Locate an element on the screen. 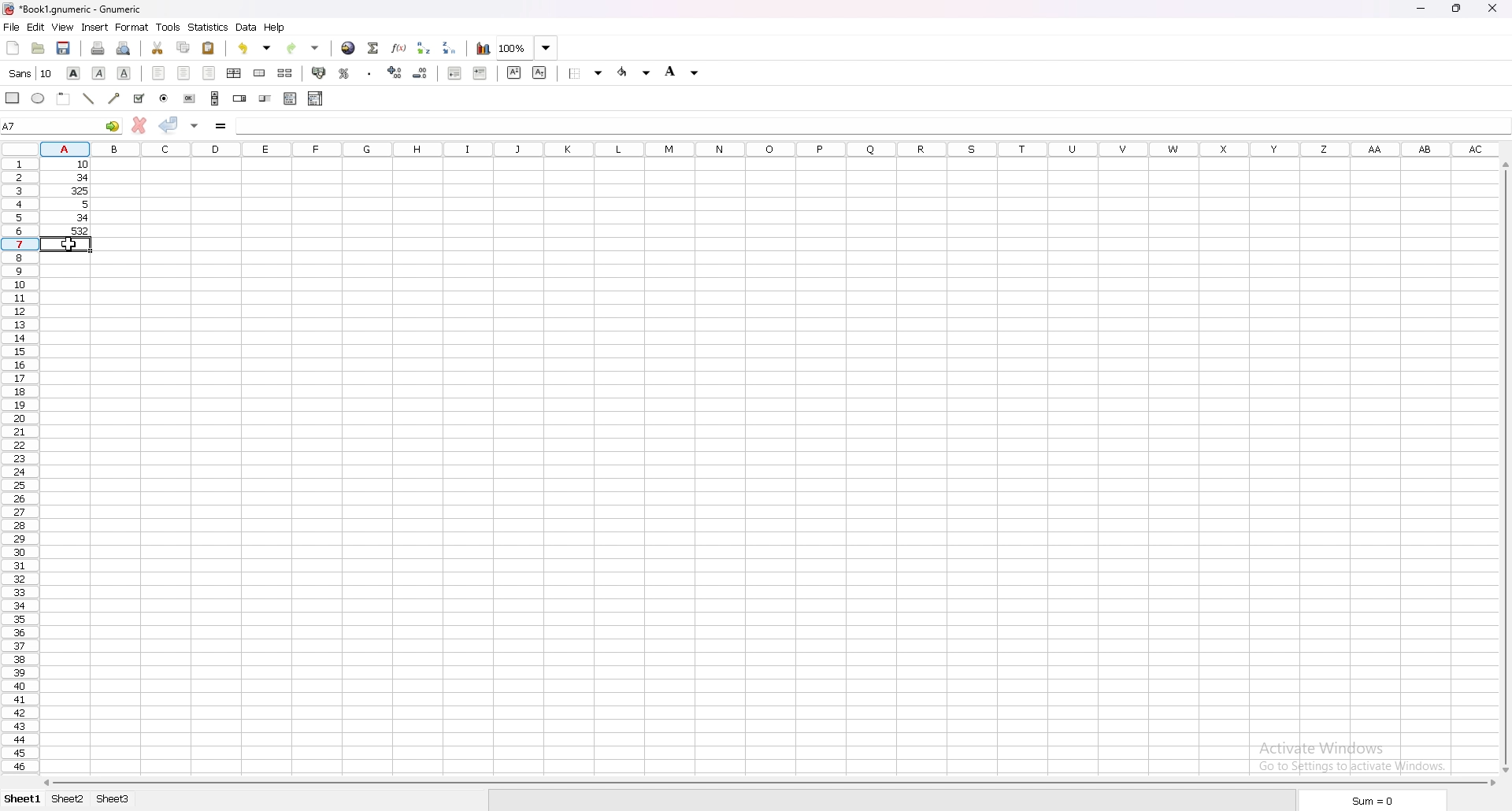  percentage is located at coordinates (345, 74).